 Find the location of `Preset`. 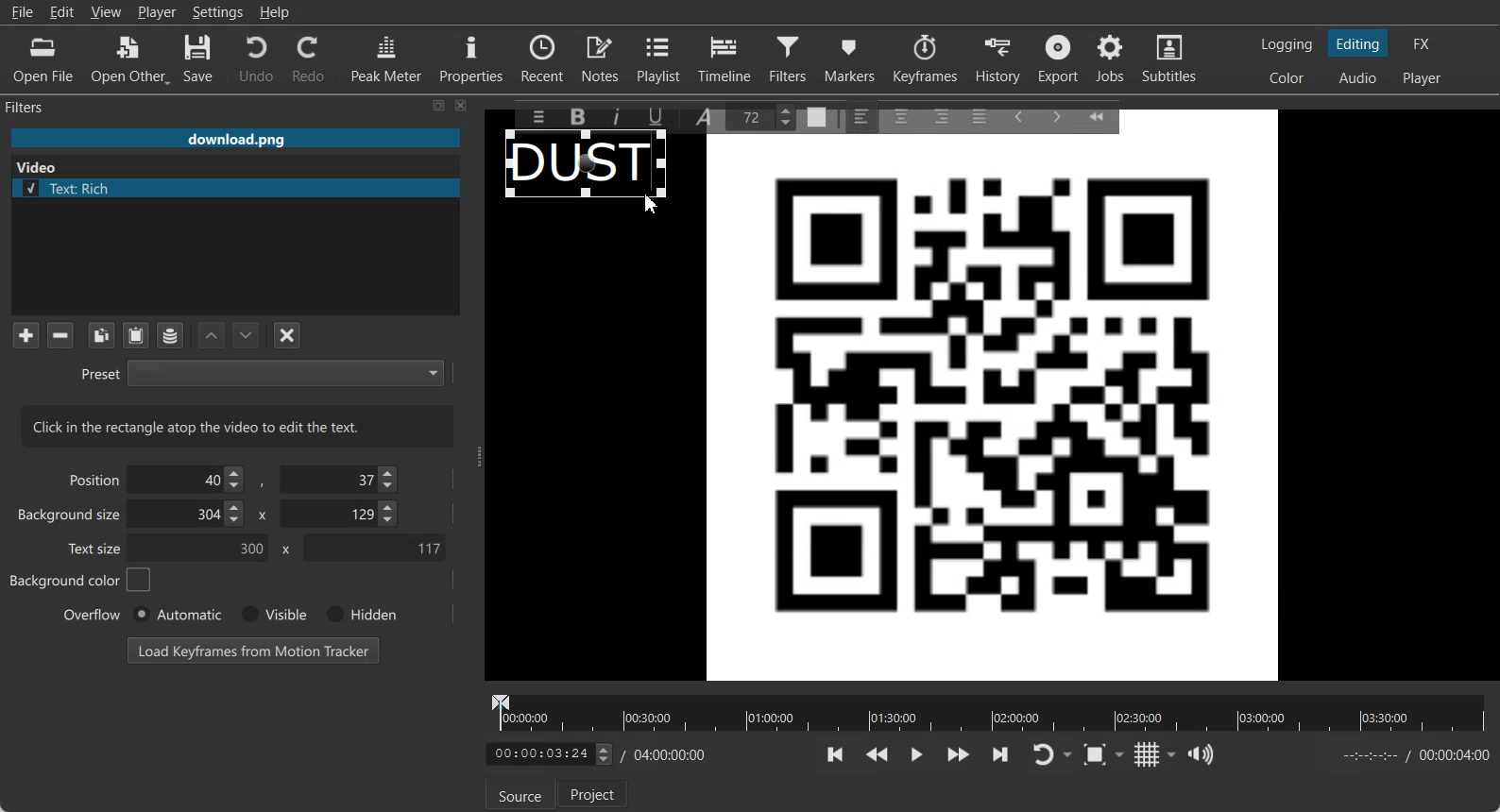

Preset is located at coordinates (262, 372).